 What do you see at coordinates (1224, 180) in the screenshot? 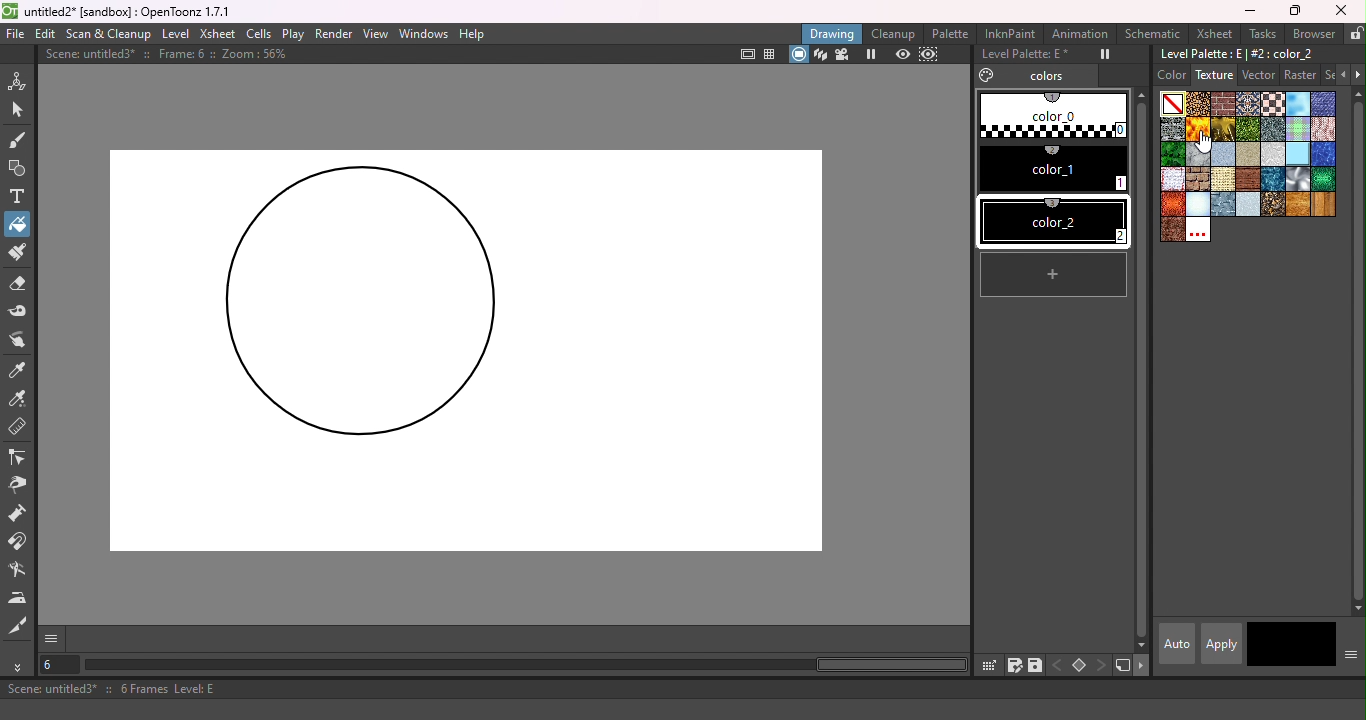
I see `roughcanvas.bmp` at bounding box center [1224, 180].